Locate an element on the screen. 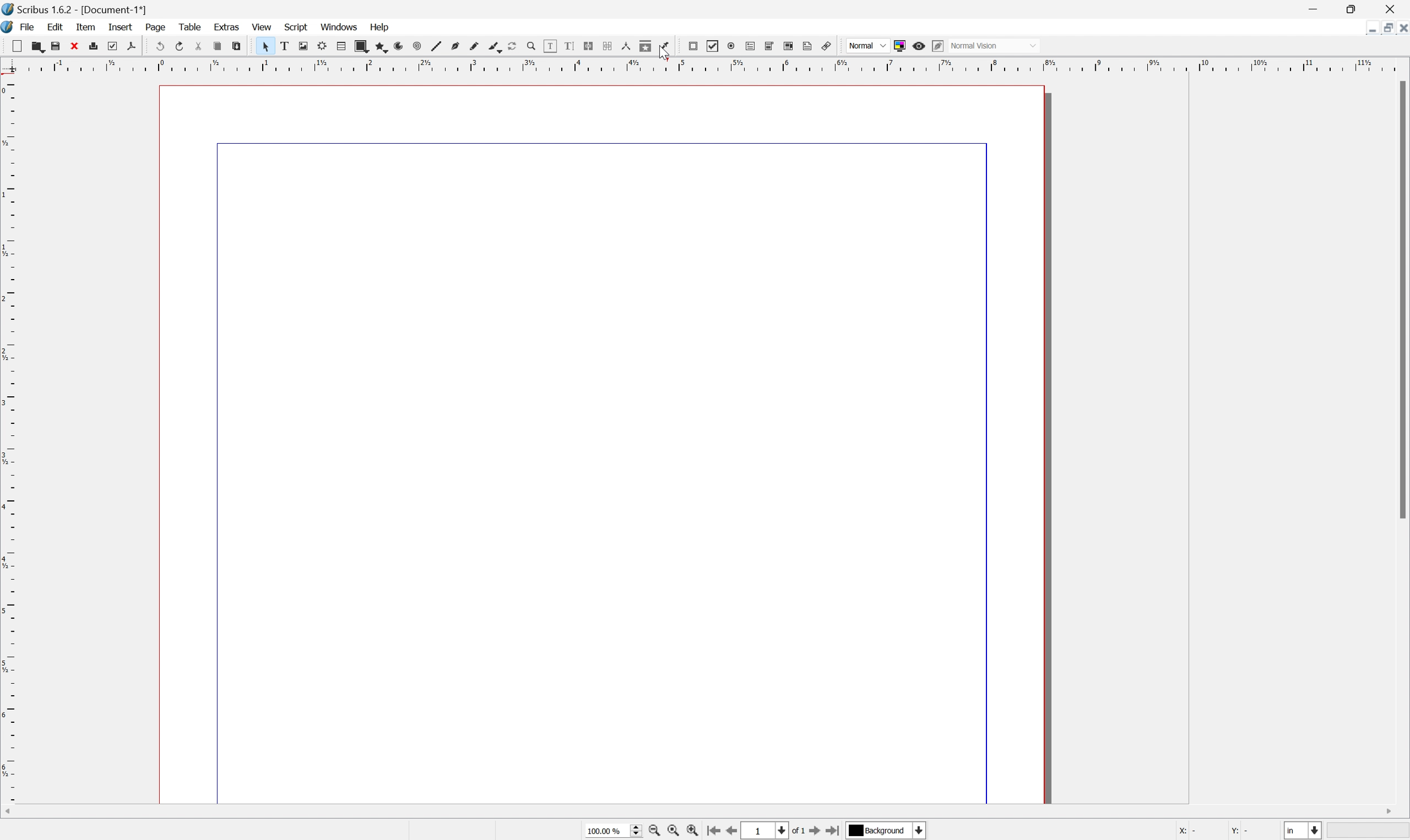 The image size is (1410, 840). extras is located at coordinates (226, 27).